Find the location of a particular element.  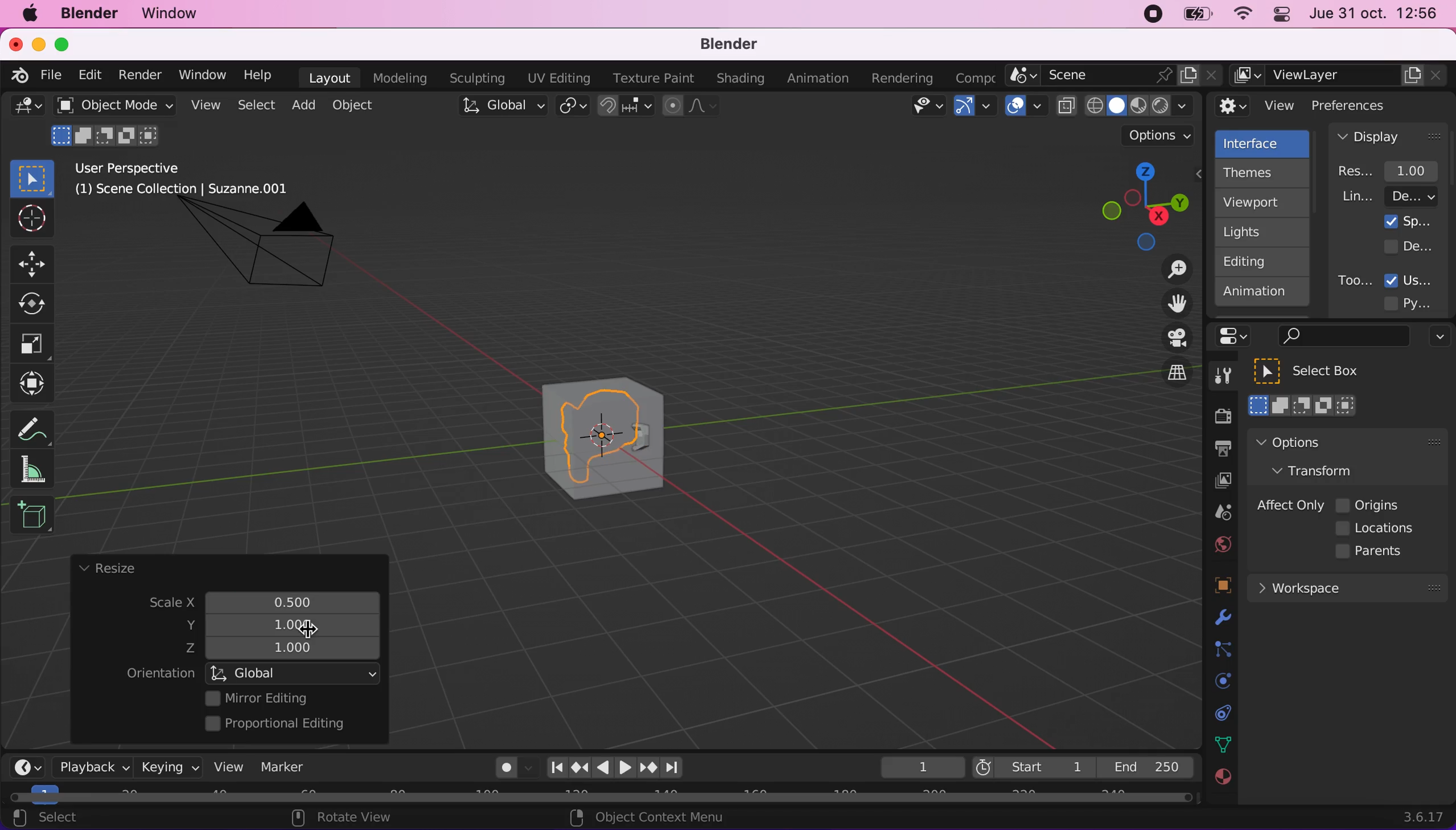

options is located at coordinates (1160, 136).